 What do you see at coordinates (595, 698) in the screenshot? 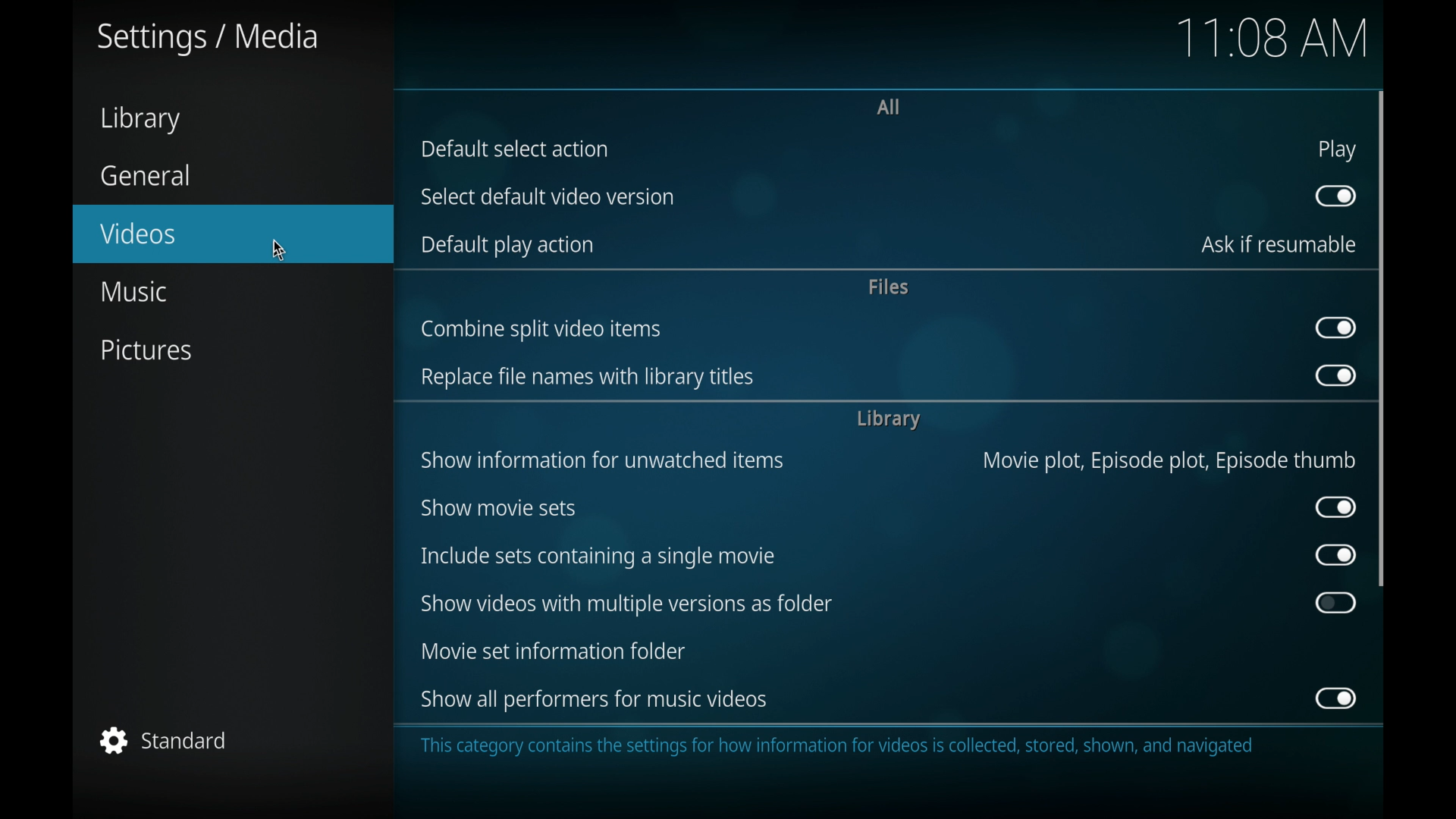
I see `show all performers for music videos` at bounding box center [595, 698].